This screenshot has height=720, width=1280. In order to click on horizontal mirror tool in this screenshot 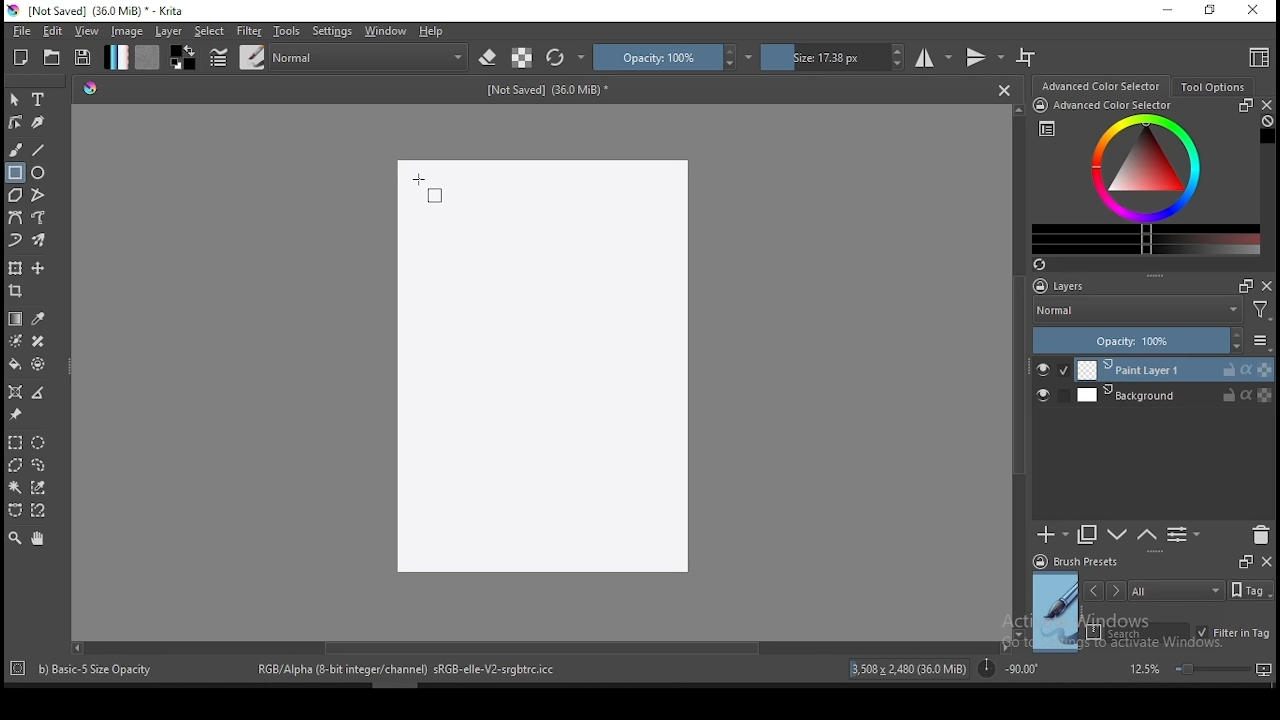, I will do `click(934, 57)`.